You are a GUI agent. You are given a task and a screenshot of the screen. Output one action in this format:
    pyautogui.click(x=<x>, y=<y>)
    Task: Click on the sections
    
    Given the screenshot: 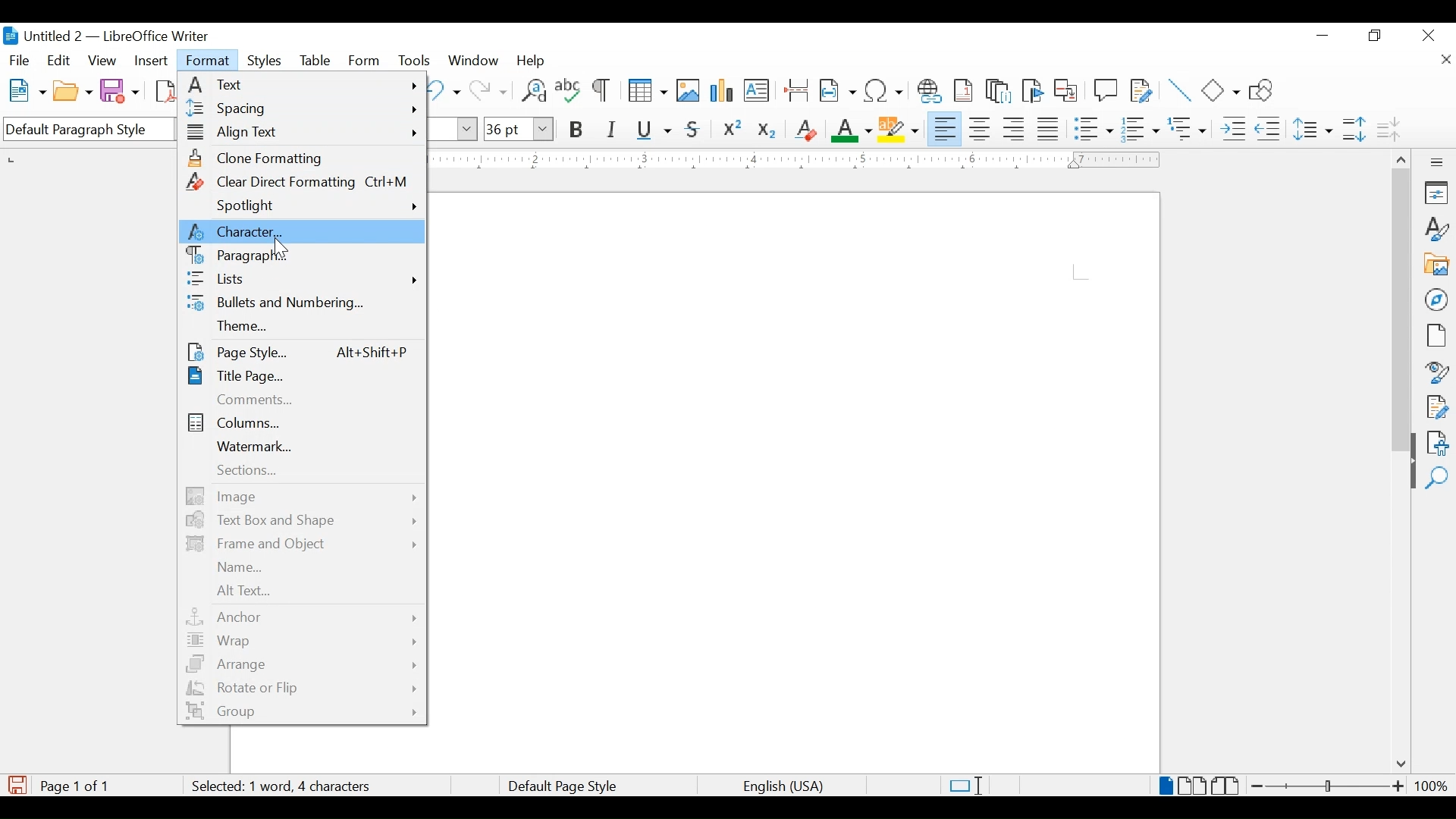 What is the action you would take?
    pyautogui.click(x=246, y=471)
    